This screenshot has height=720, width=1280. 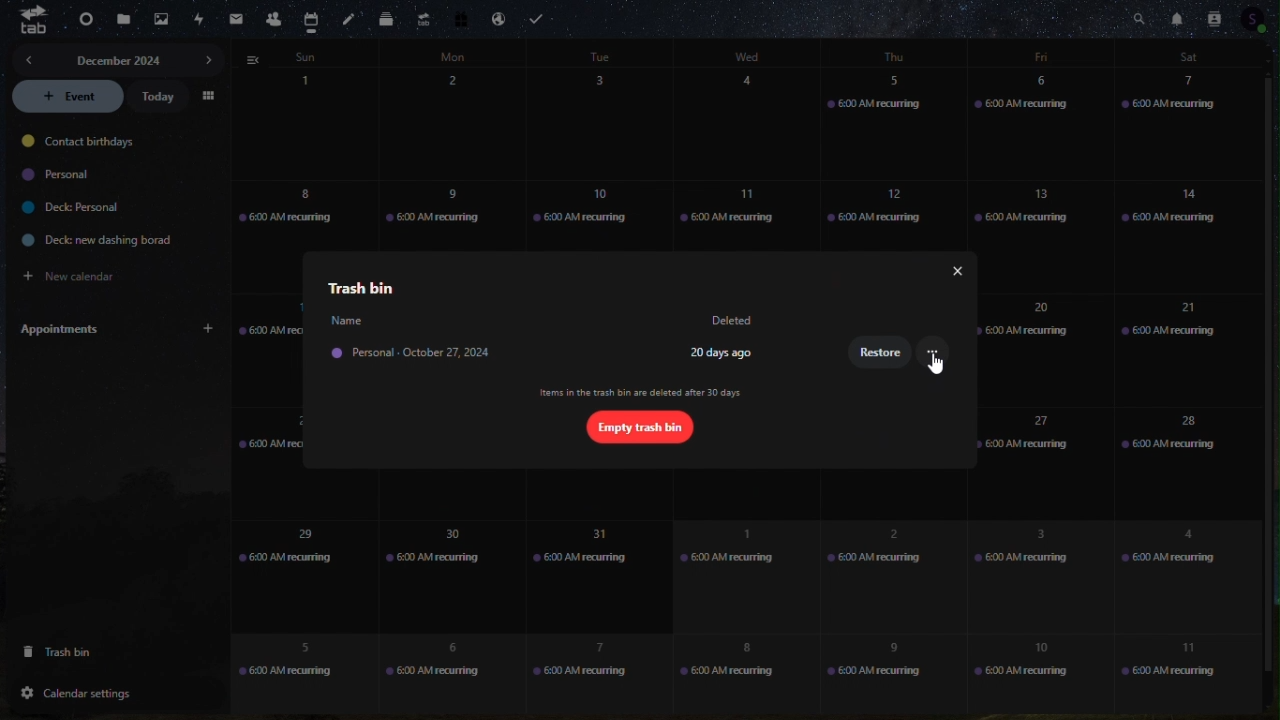 What do you see at coordinates (1139, 17) in the screenshot?
I see `Search` at bounding box center [1139, 17].